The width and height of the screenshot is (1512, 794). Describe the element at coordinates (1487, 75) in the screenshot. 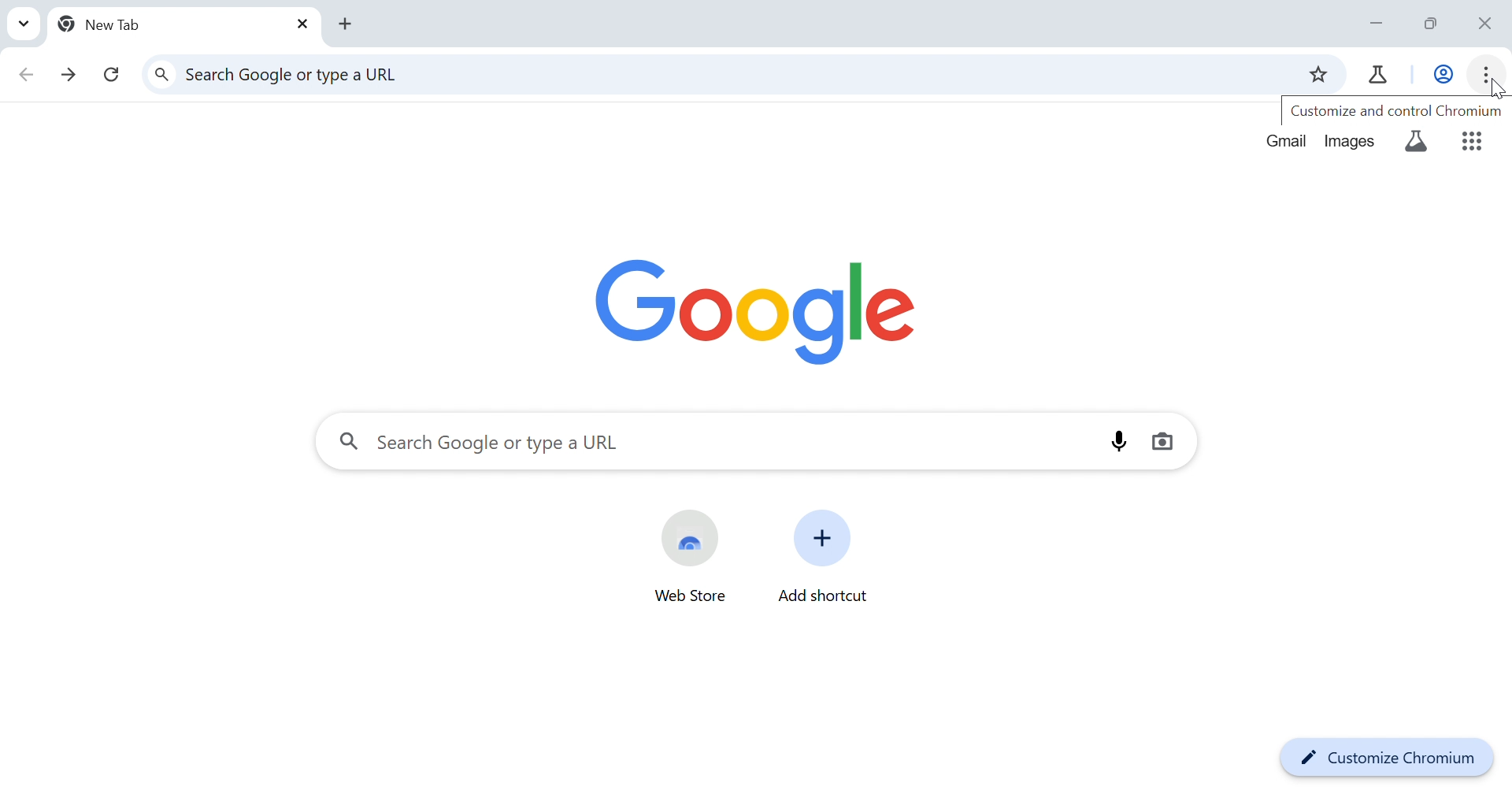

I see `More options` at that location.